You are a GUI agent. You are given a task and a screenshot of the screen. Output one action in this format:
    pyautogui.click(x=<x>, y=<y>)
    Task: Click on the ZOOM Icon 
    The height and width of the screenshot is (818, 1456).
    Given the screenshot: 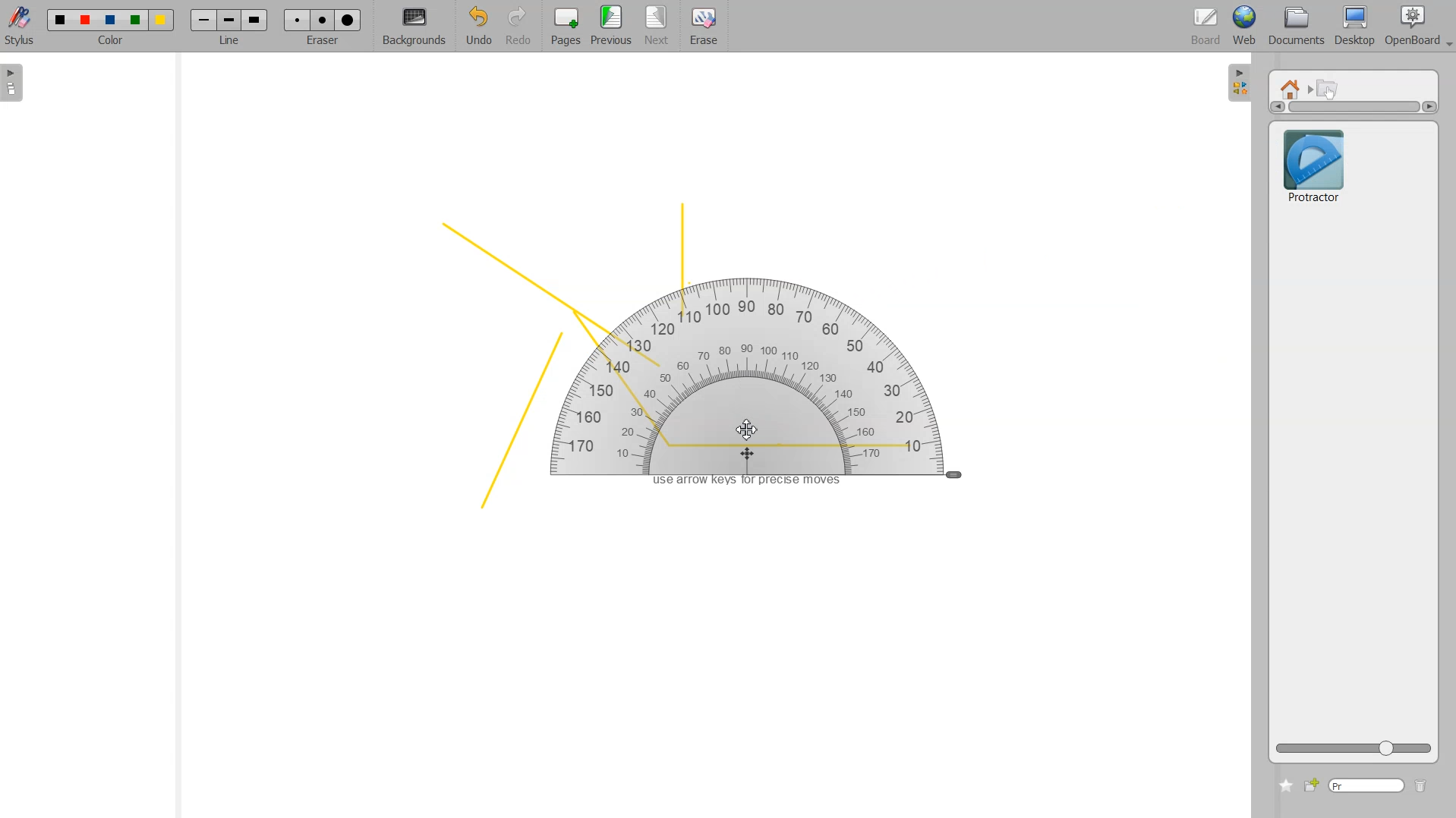 What is the action you would take?
    pyautogui.click(x=1354, y=748)
    